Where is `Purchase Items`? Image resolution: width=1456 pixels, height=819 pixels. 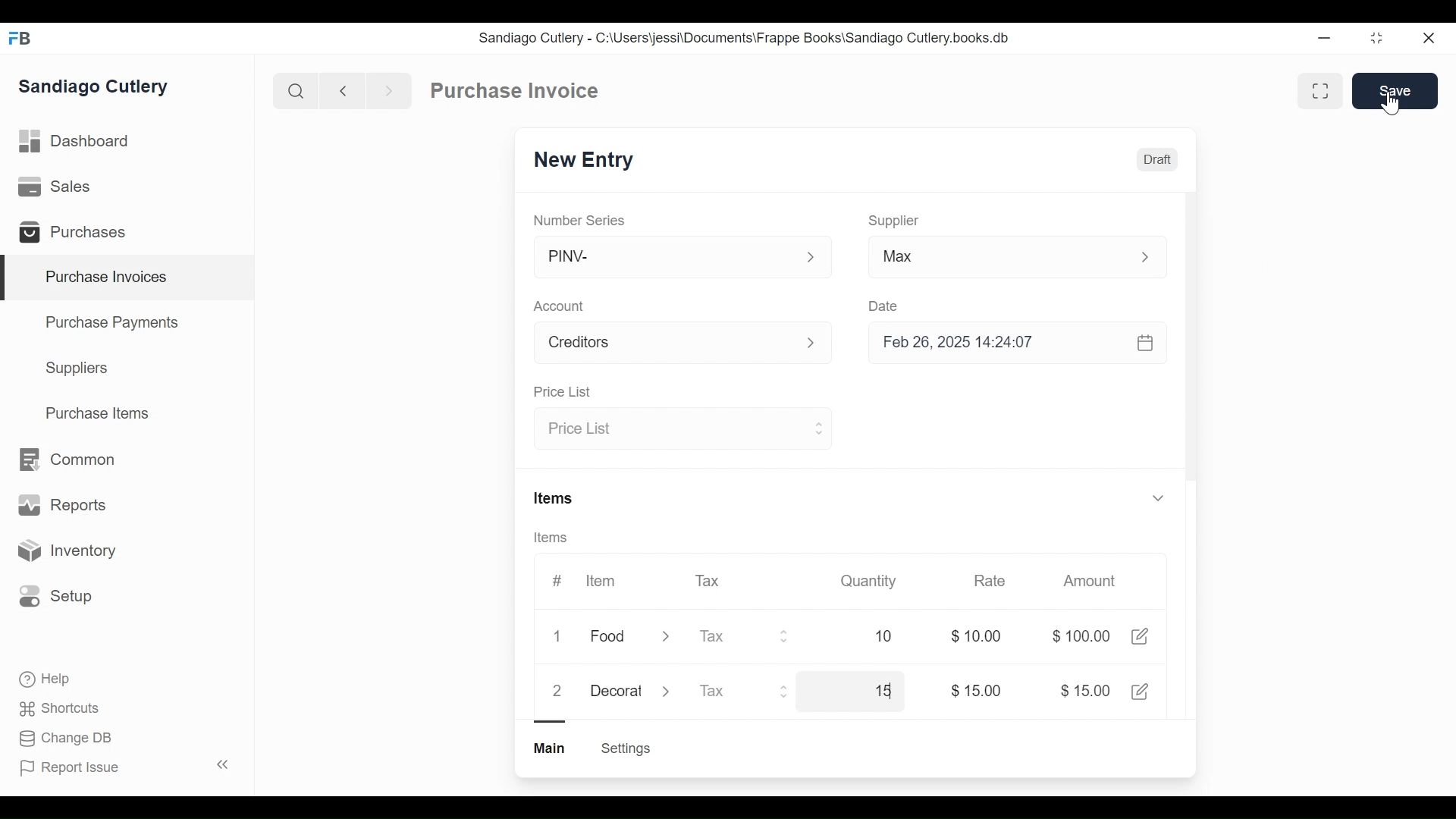
Purchase Items is located at coordinates (98, 415).